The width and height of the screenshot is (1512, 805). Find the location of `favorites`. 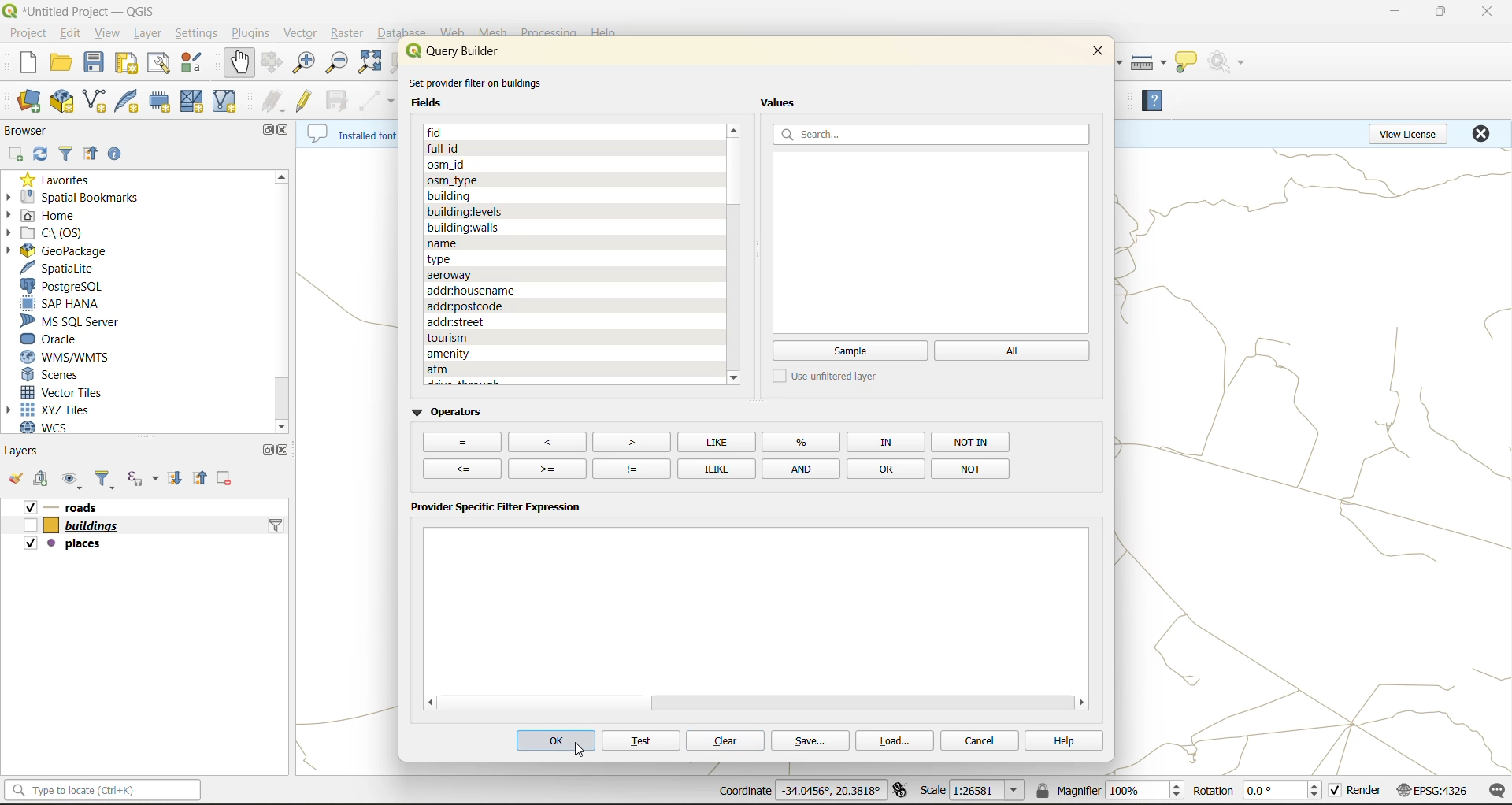

favorites is located at coordinates (62, 179).